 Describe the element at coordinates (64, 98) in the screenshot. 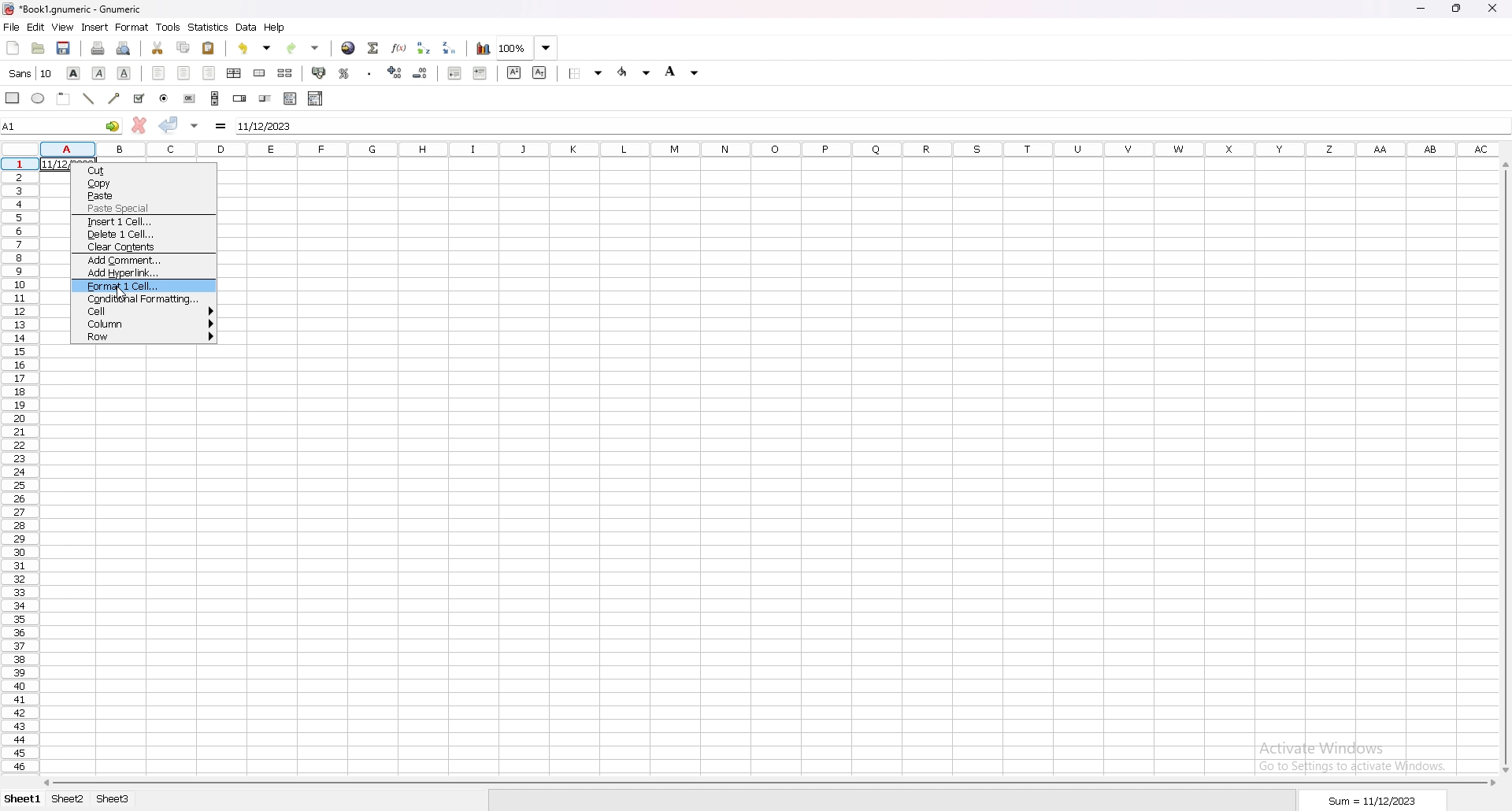

I see `frame` at that location.